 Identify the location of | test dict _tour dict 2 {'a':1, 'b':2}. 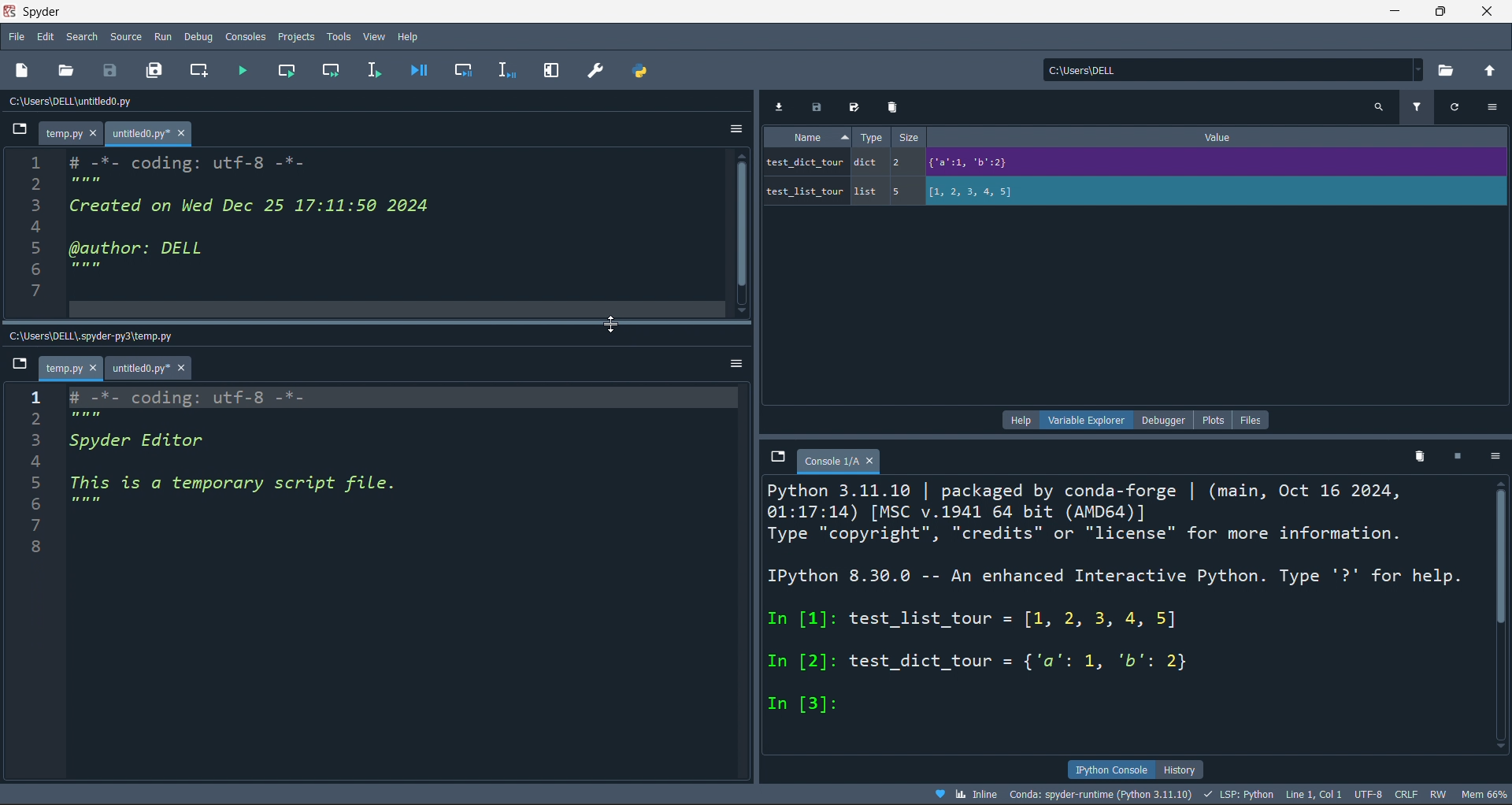
(1086, 161).